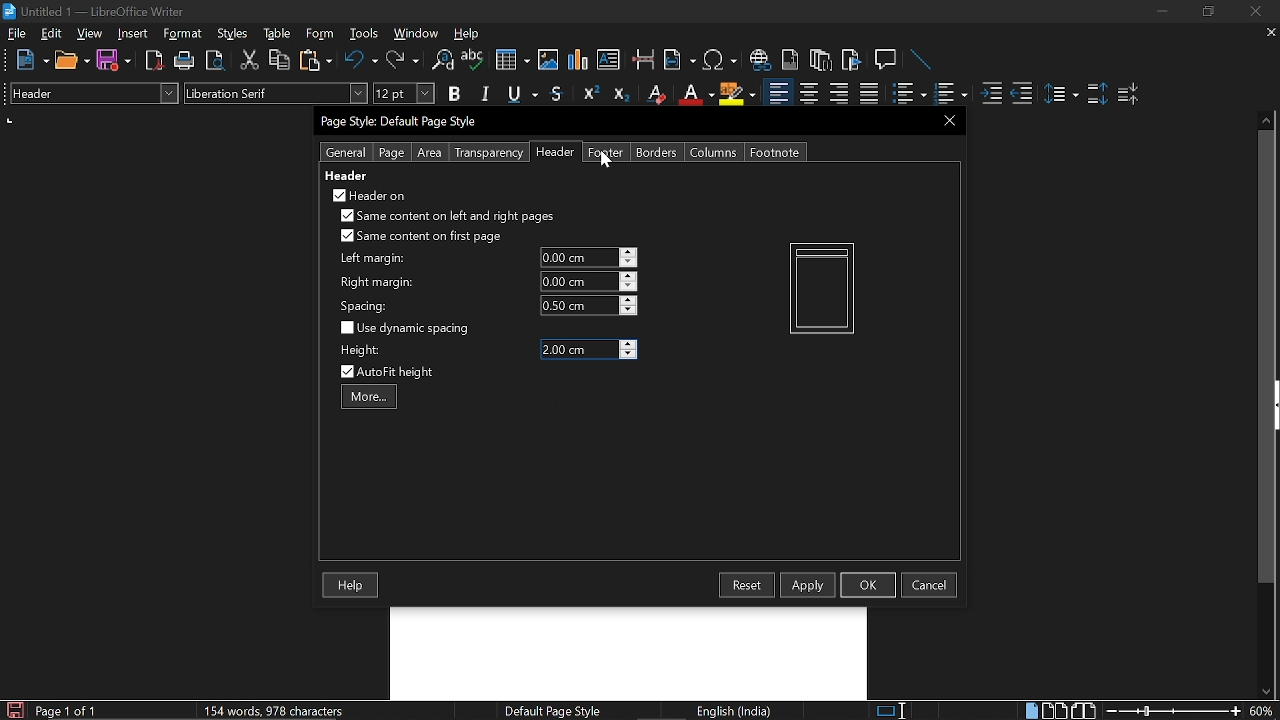 Image resolution: width=1280 pixels, height=720 pixels. I want to click on increase right margin, so click(629, 276).